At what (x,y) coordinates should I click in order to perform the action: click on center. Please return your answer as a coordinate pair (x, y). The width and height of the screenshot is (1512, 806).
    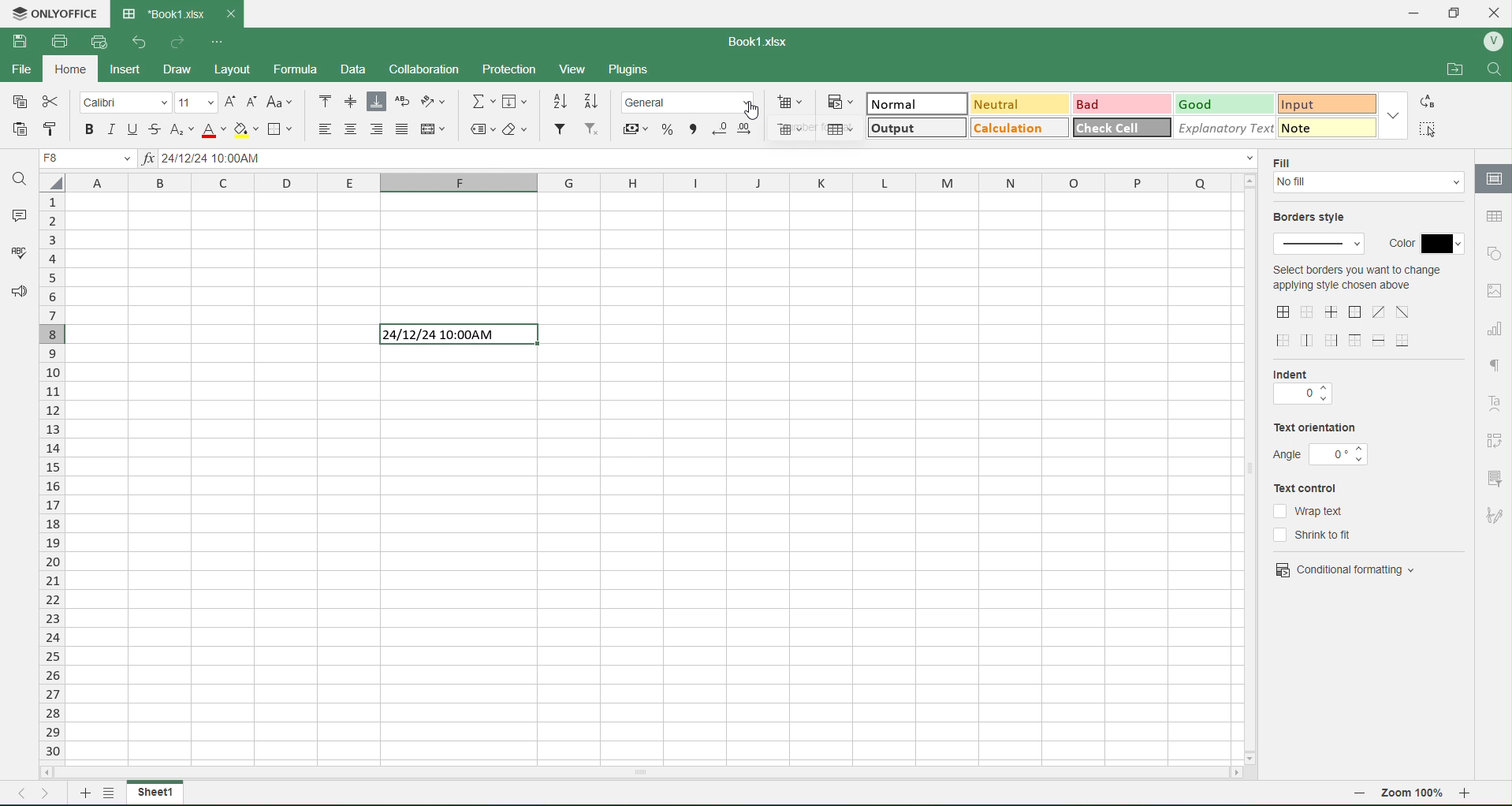
    Looking at the image, I should click on (1403, 311).